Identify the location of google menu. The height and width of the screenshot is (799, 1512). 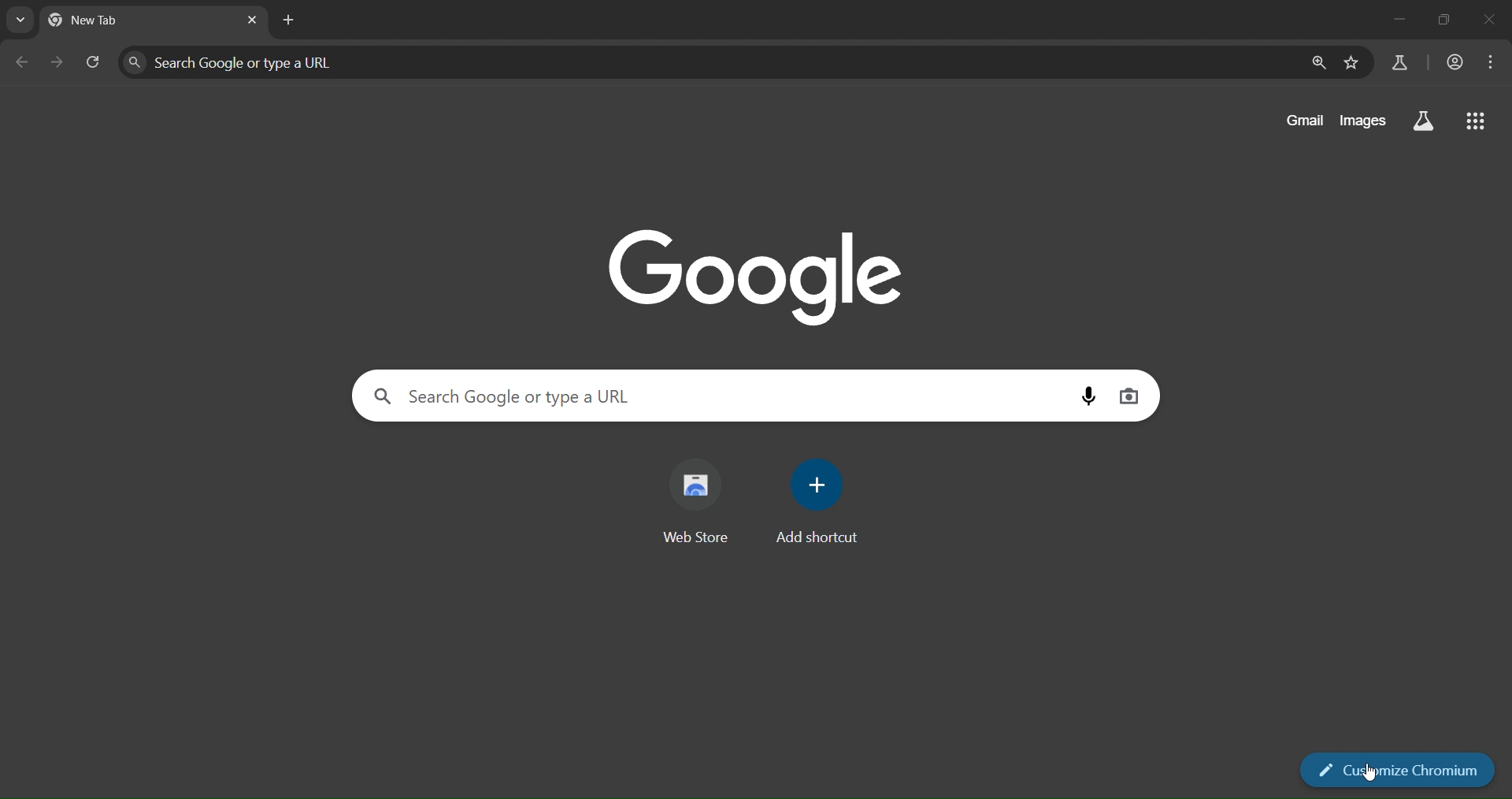
(1477, 121).